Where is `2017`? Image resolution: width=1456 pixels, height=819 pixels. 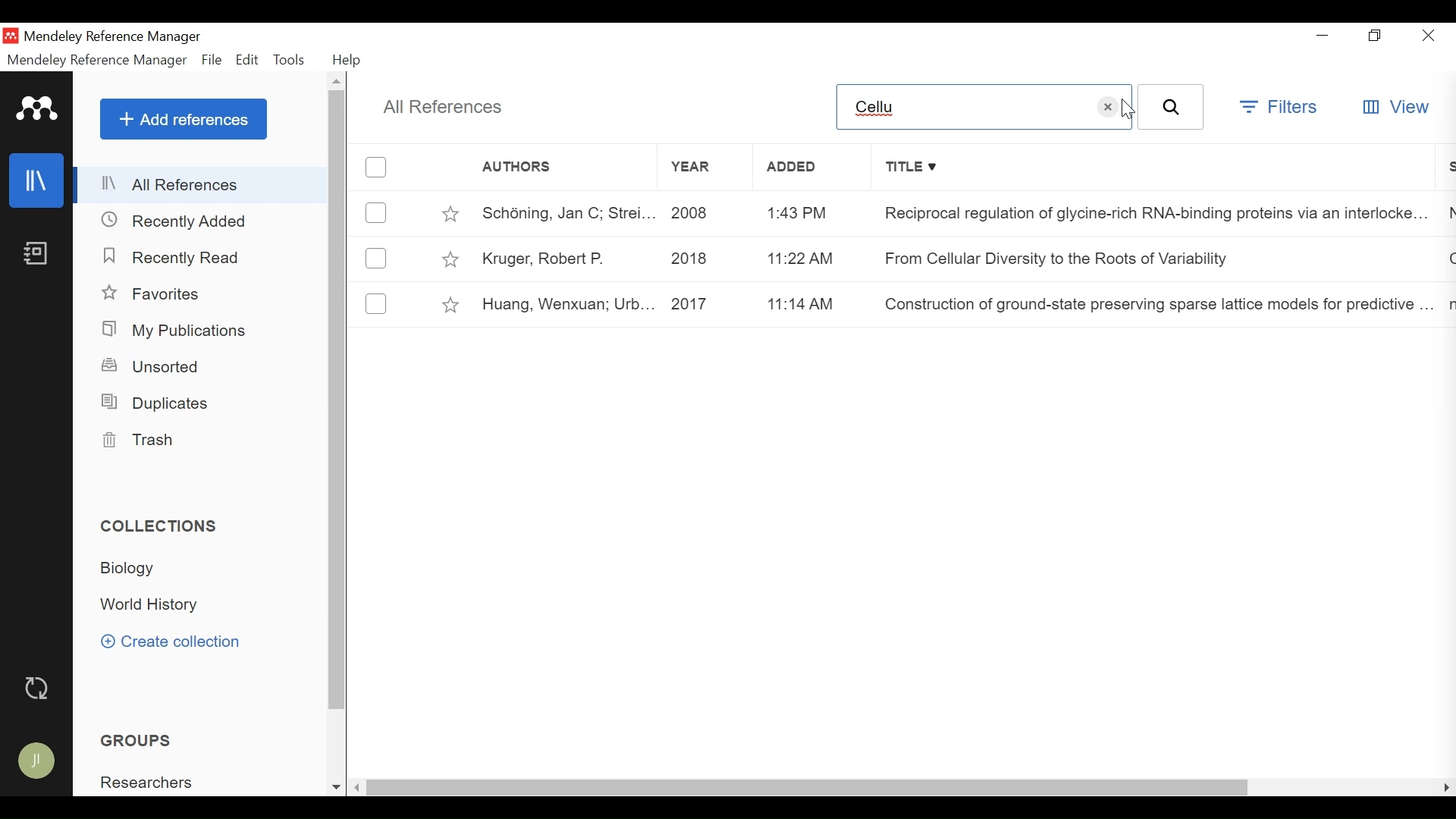
2017 is located at coordinates (707, 306).